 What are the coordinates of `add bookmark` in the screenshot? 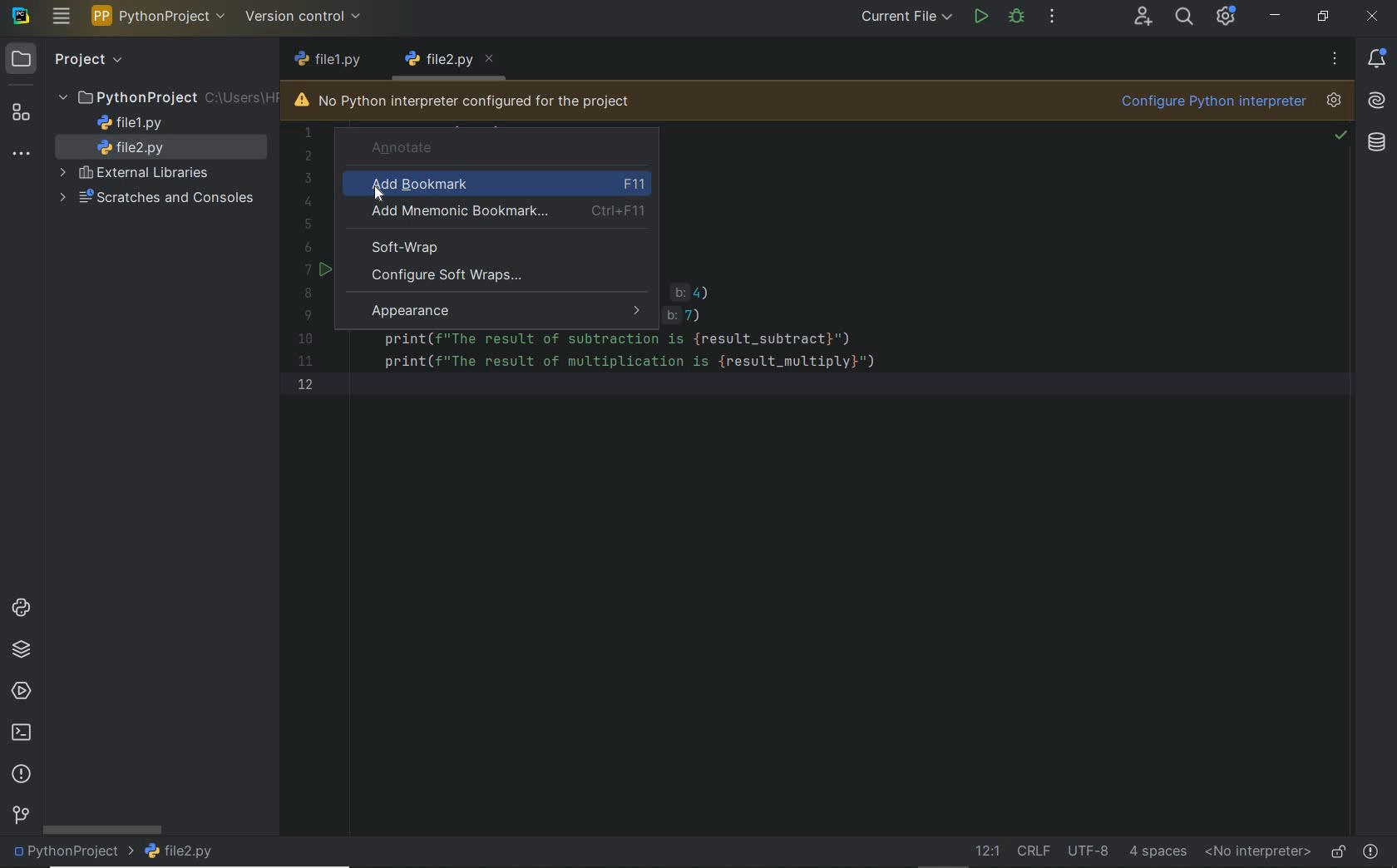 It's located at (502, 185).